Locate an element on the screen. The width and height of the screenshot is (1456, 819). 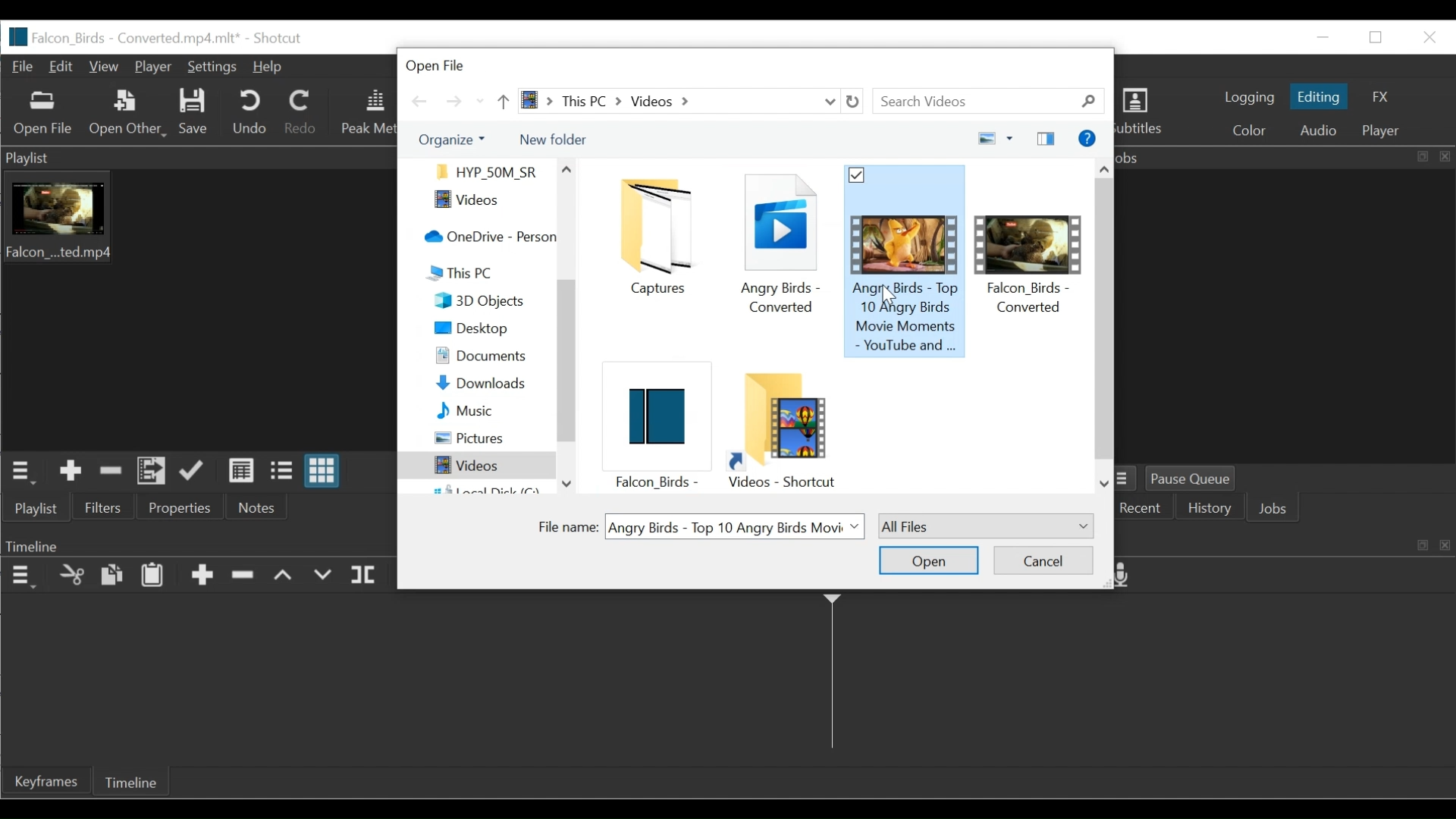
Jobs Panel is located at coordinates (1289, 315).